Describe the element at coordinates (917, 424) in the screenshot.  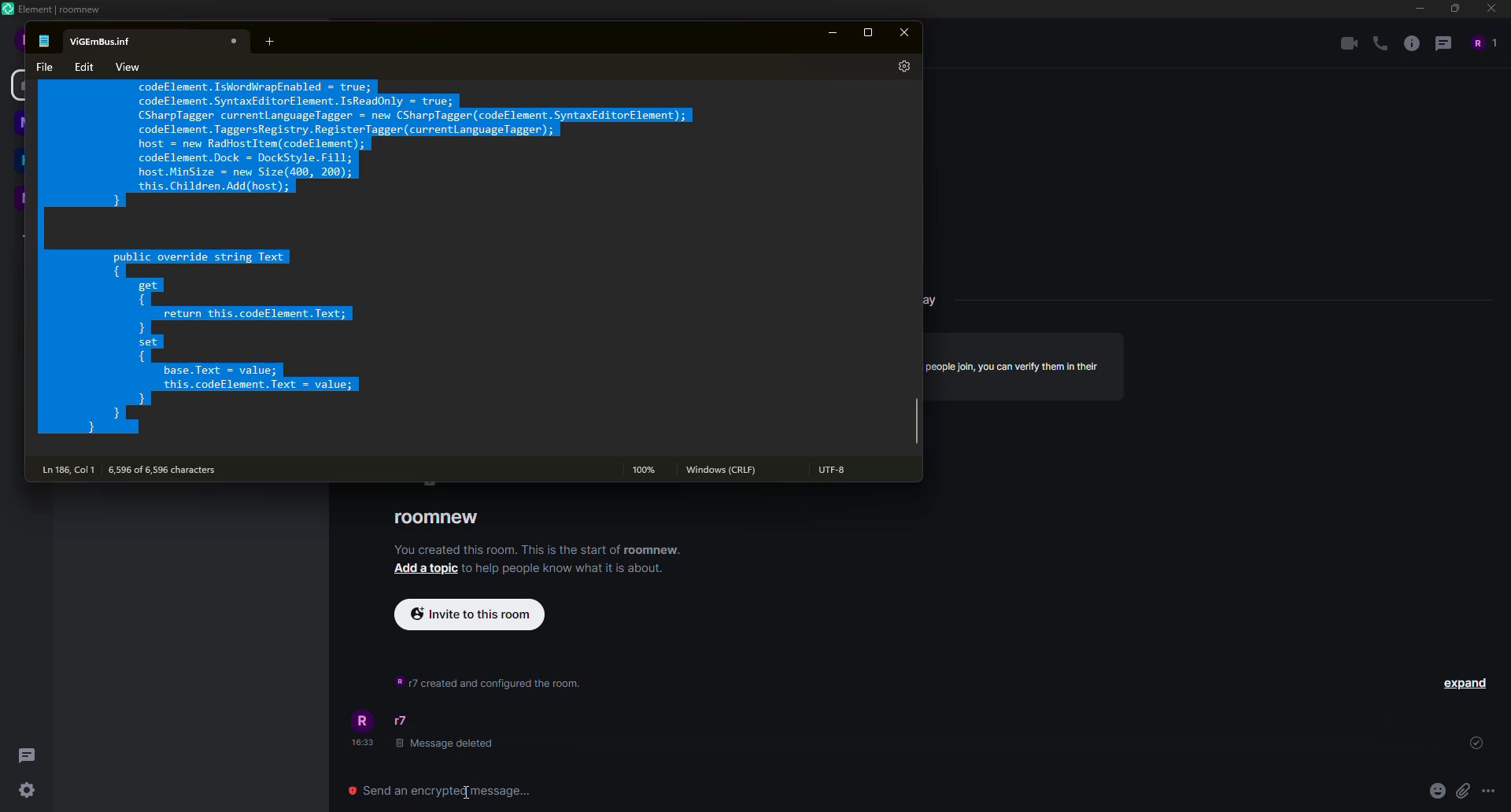
I see `scroll bar` at that location.